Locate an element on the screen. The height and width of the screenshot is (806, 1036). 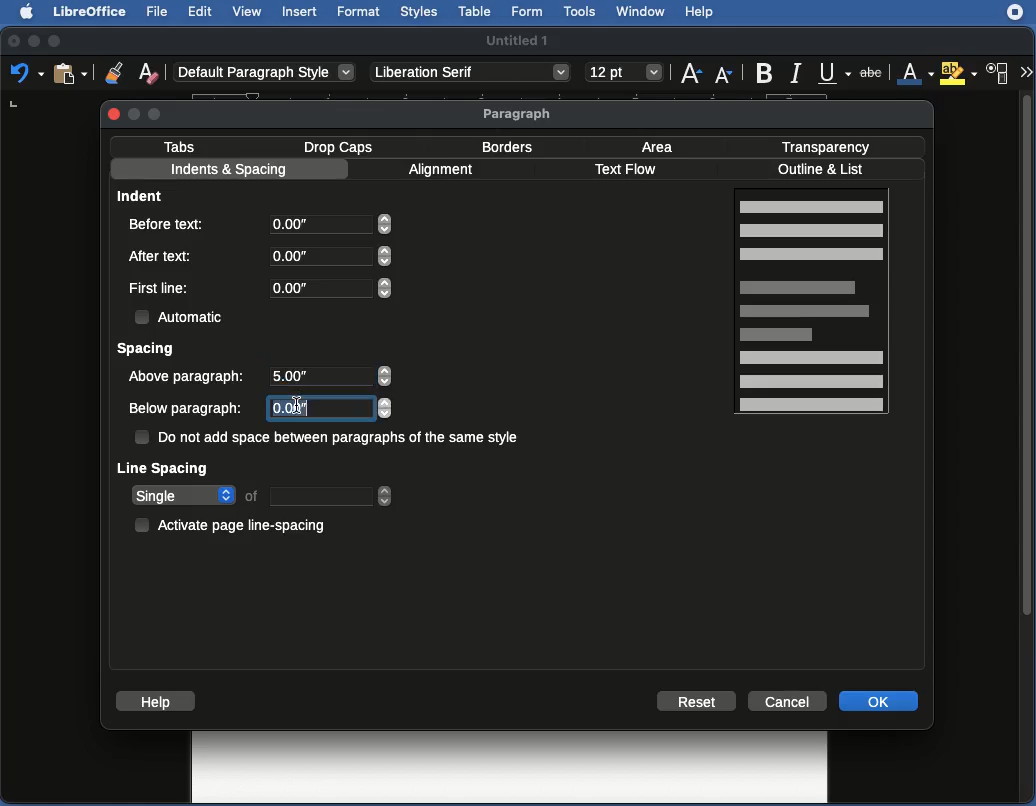
Tabs is located at coordinates (180, 146).